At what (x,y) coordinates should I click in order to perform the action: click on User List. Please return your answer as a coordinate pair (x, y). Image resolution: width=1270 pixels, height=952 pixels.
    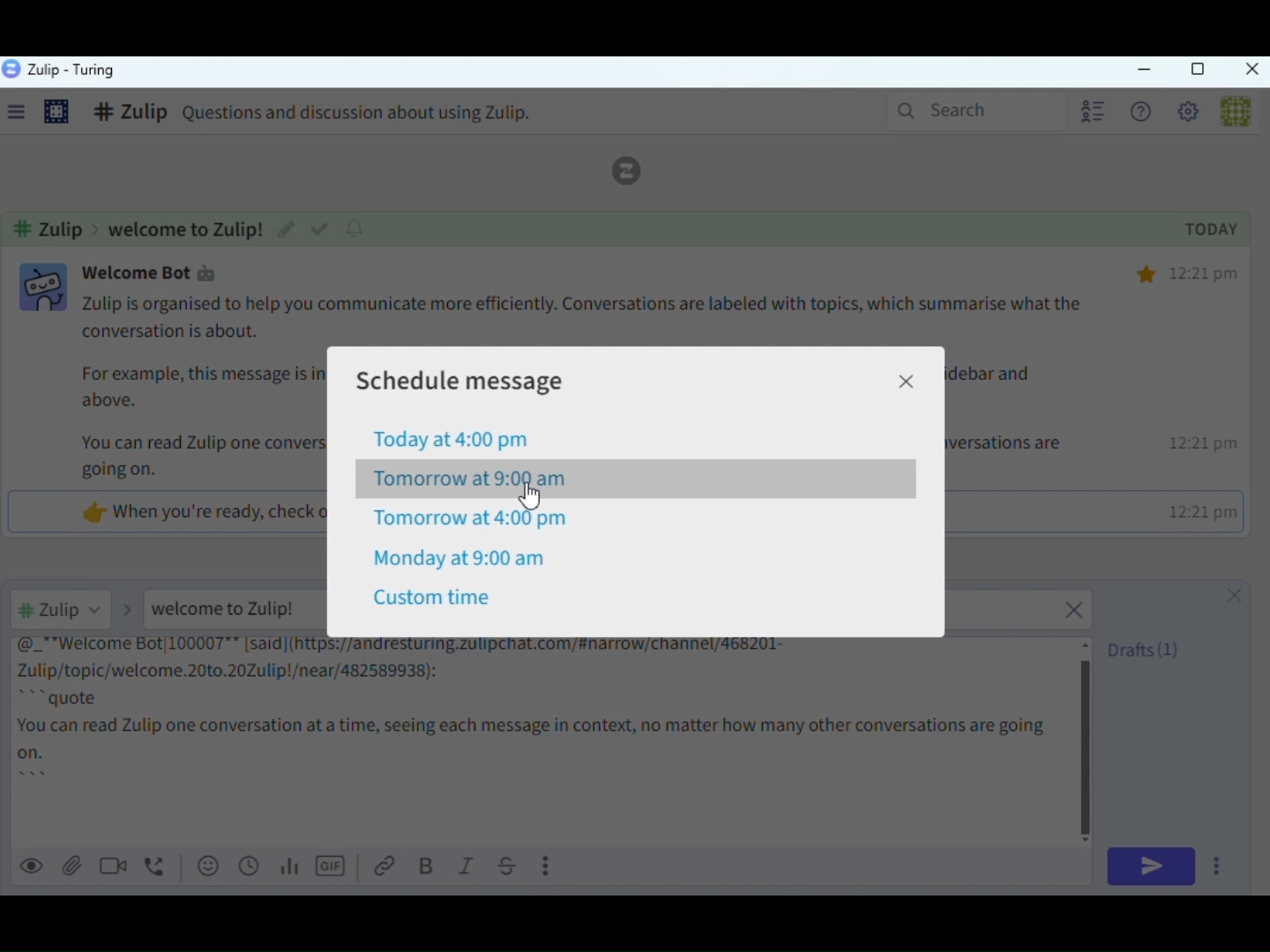
    Looking at the image, I should click on (1091, 110).